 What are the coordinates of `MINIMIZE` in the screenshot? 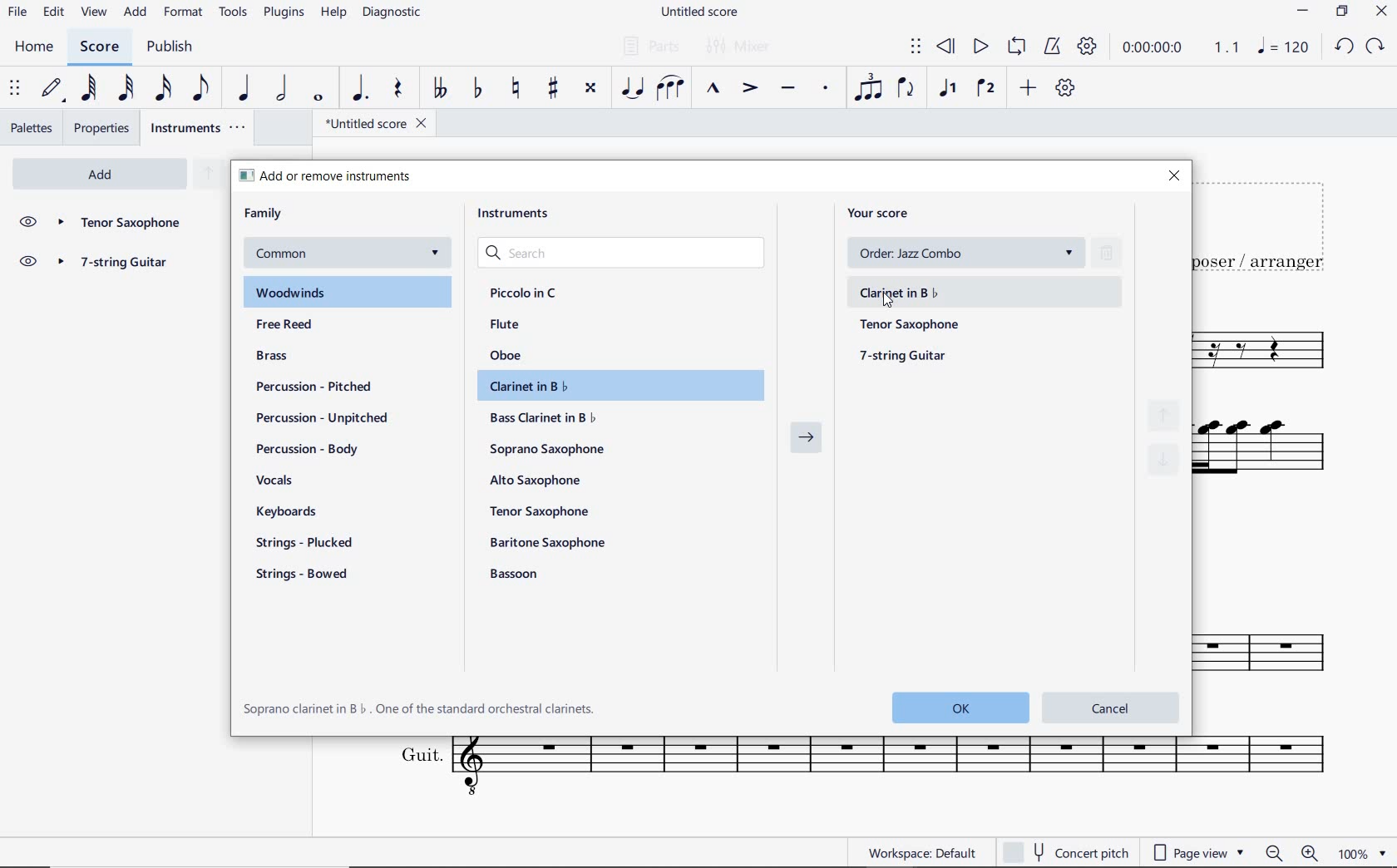 It's located at (1304, 12).